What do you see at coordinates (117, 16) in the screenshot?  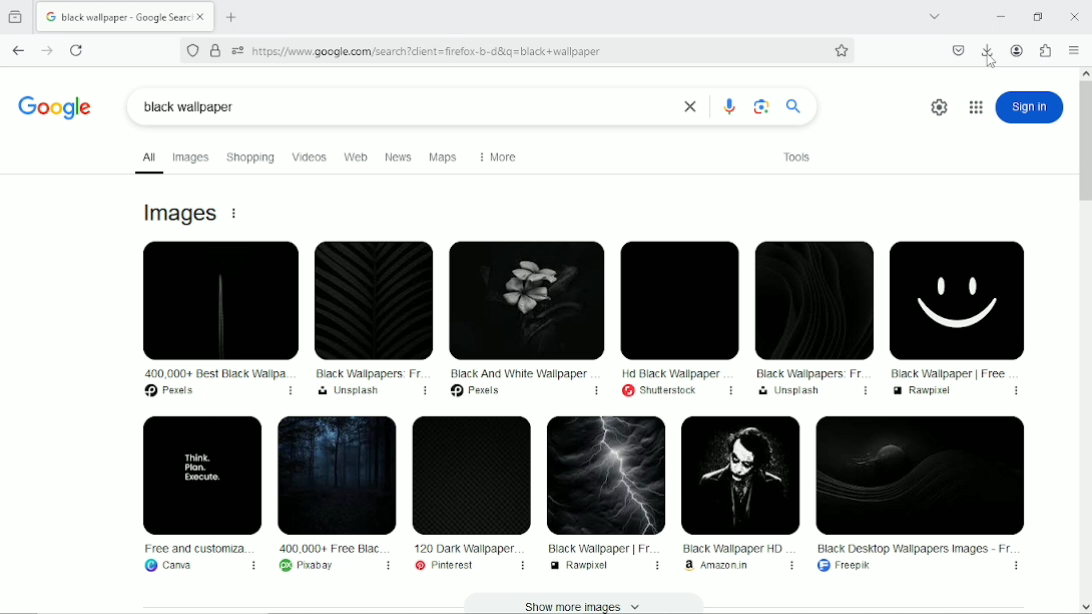 I see `Current tab` at bounding box center [117, 16].